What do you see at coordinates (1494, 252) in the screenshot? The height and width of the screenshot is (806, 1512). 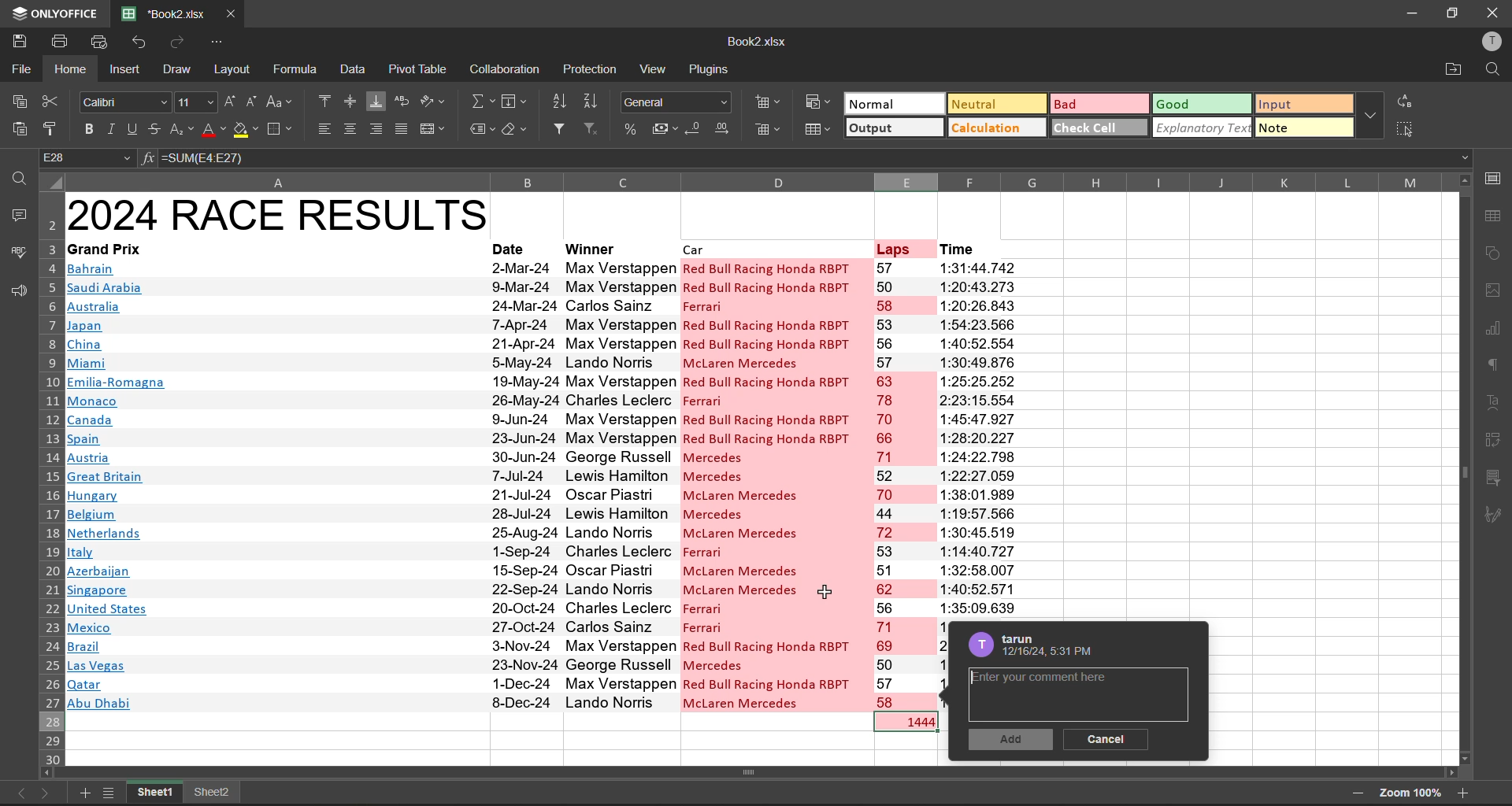 I see `shapes` at bounding box center [1494, 252].